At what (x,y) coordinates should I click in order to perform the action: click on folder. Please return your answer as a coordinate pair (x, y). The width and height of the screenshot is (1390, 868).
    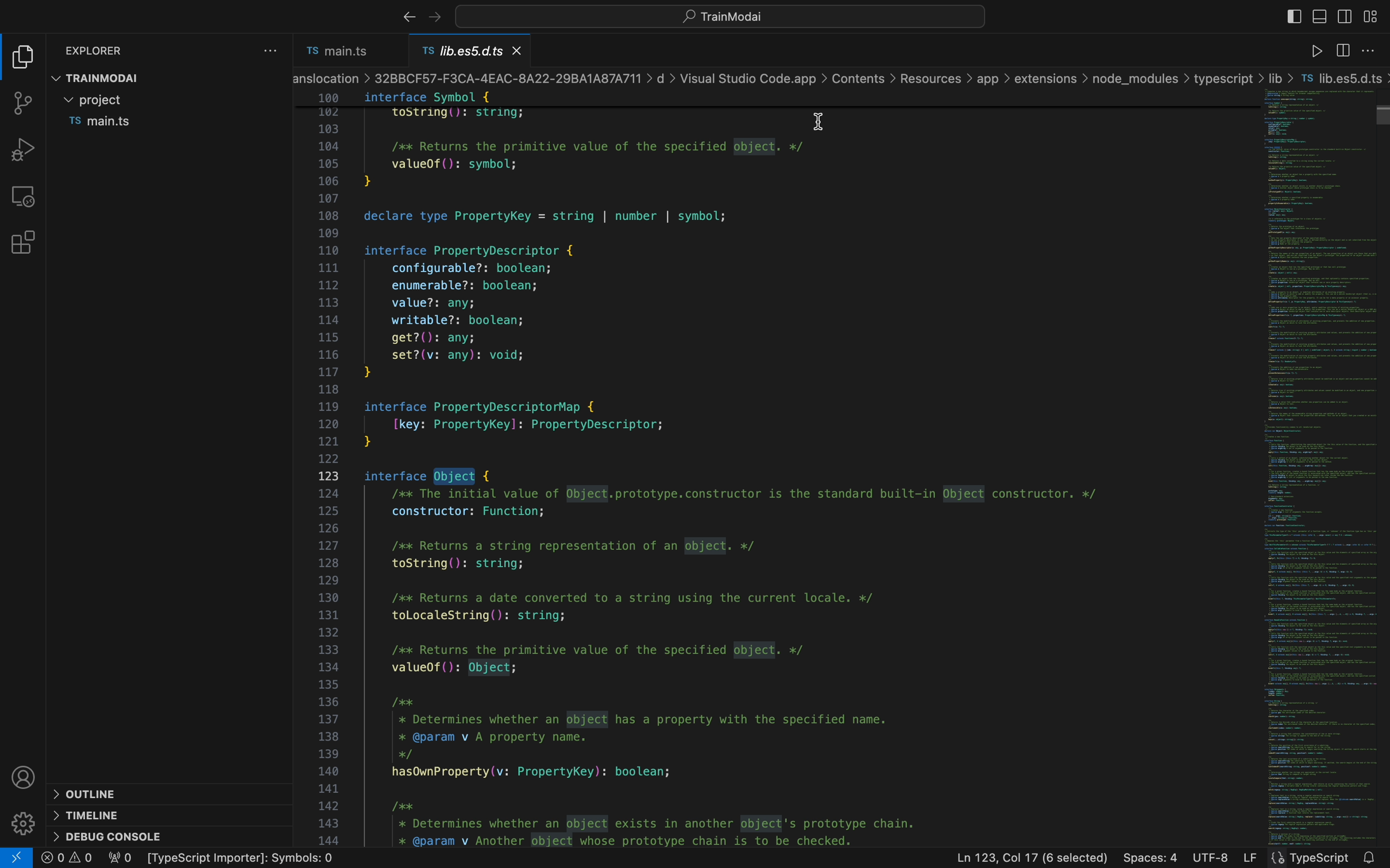
    Looking at the image, I should click on (103, 98).